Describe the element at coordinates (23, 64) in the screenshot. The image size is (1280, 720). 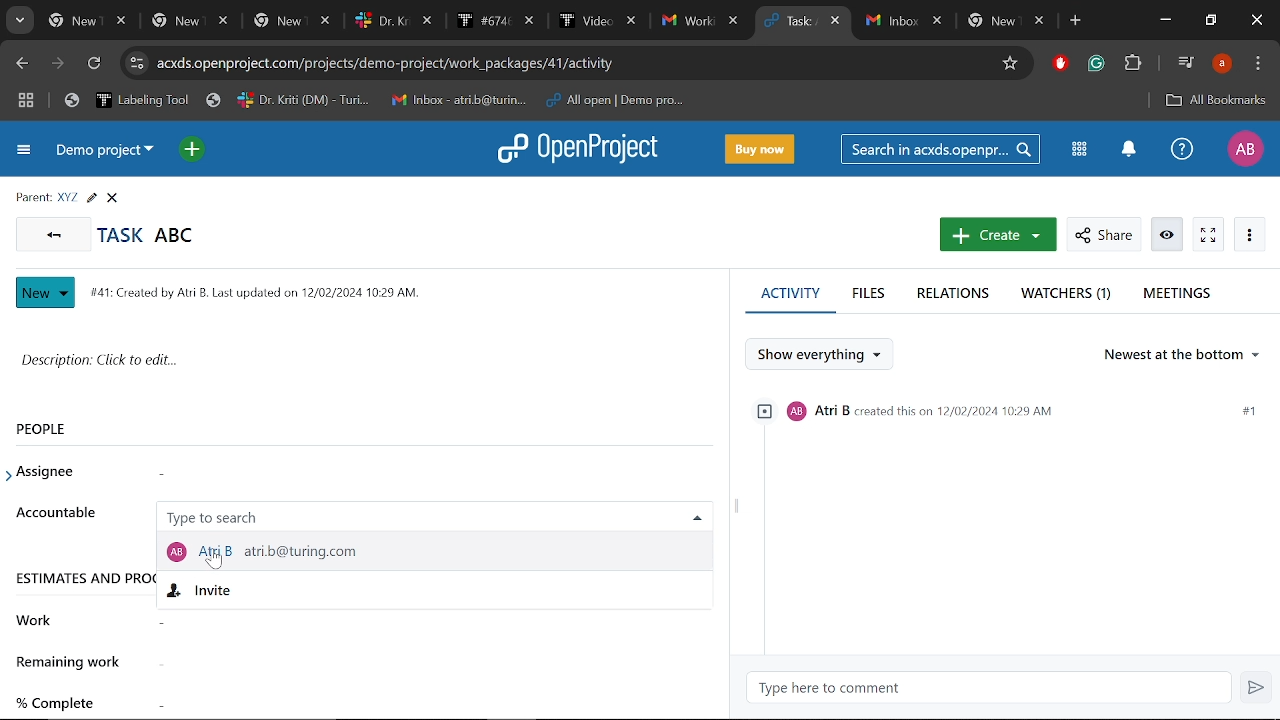
I see `Previous page` at that location.